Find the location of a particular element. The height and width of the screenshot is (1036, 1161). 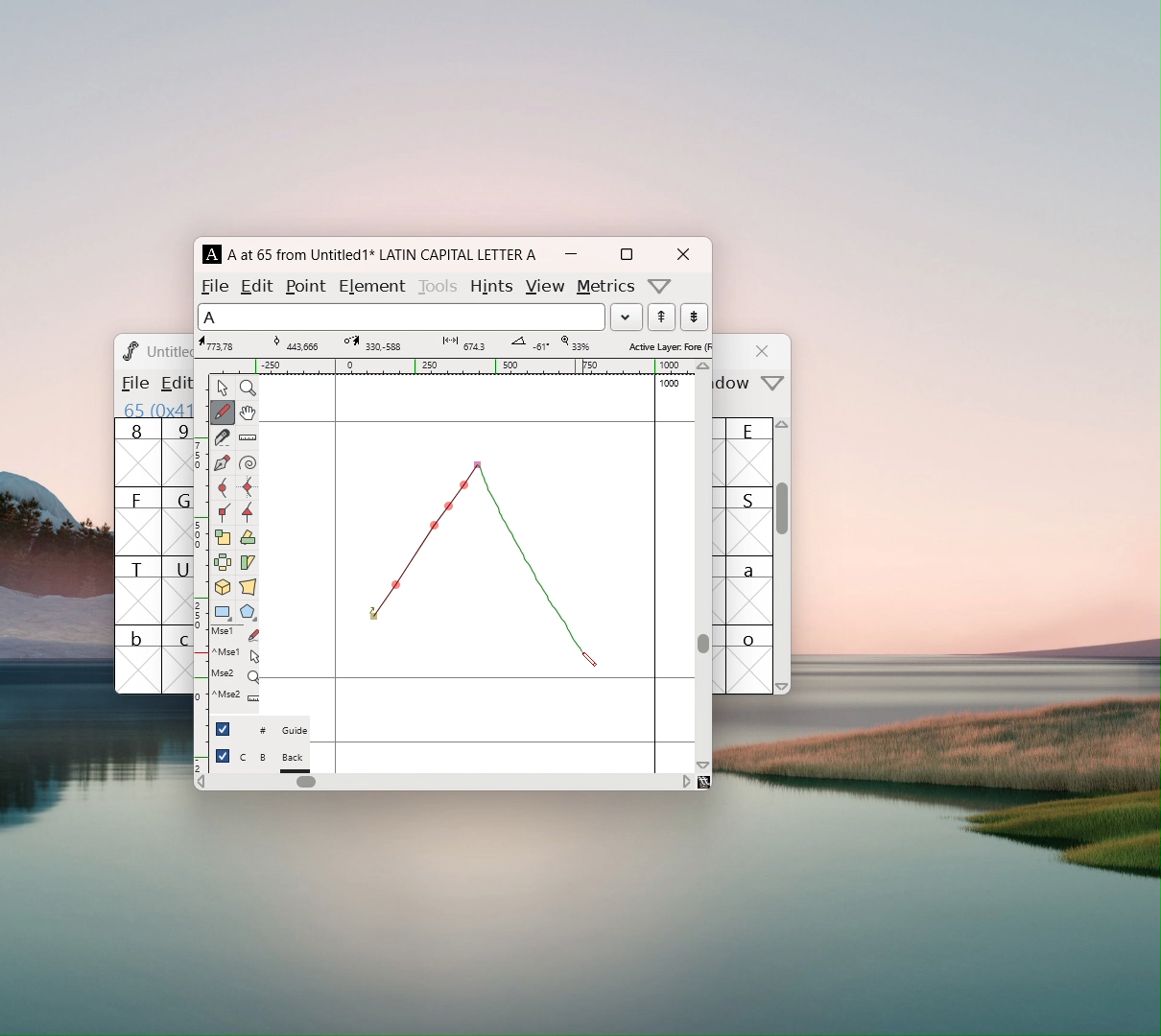

^Mse2 is located at coordinates (235, 695).